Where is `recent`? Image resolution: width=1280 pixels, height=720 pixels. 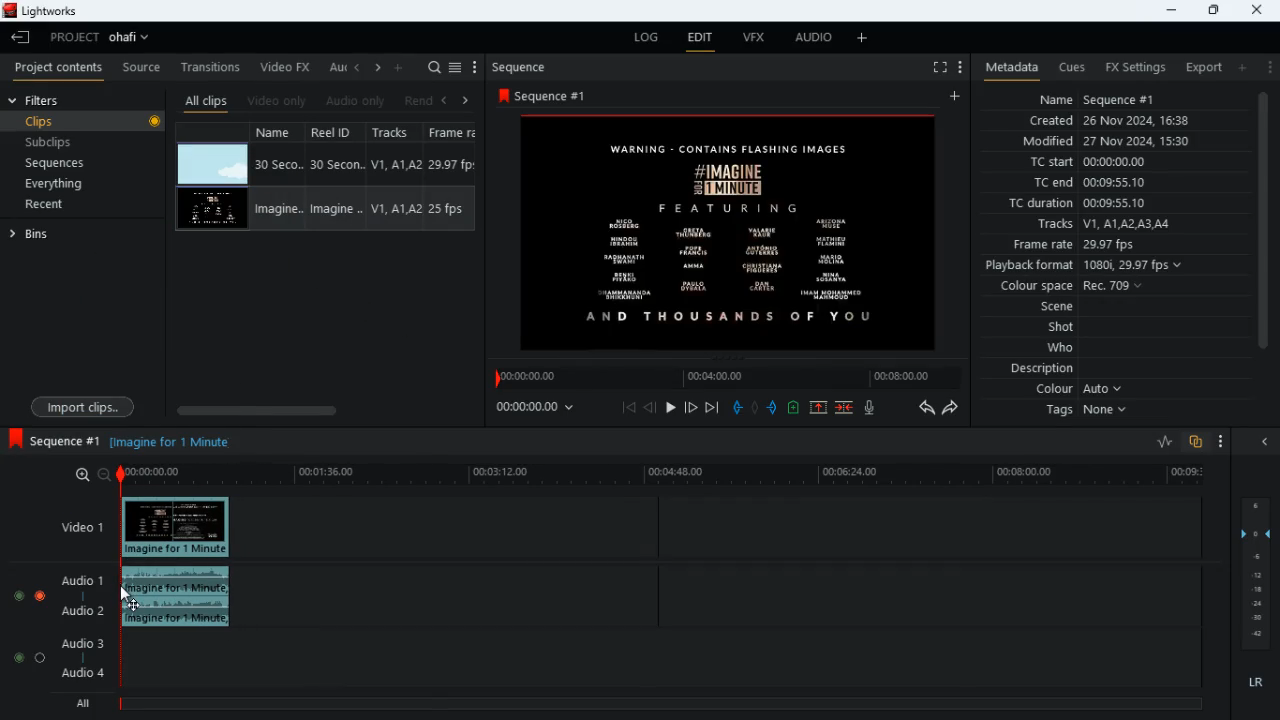 recent is located at coordinates (61, 206).